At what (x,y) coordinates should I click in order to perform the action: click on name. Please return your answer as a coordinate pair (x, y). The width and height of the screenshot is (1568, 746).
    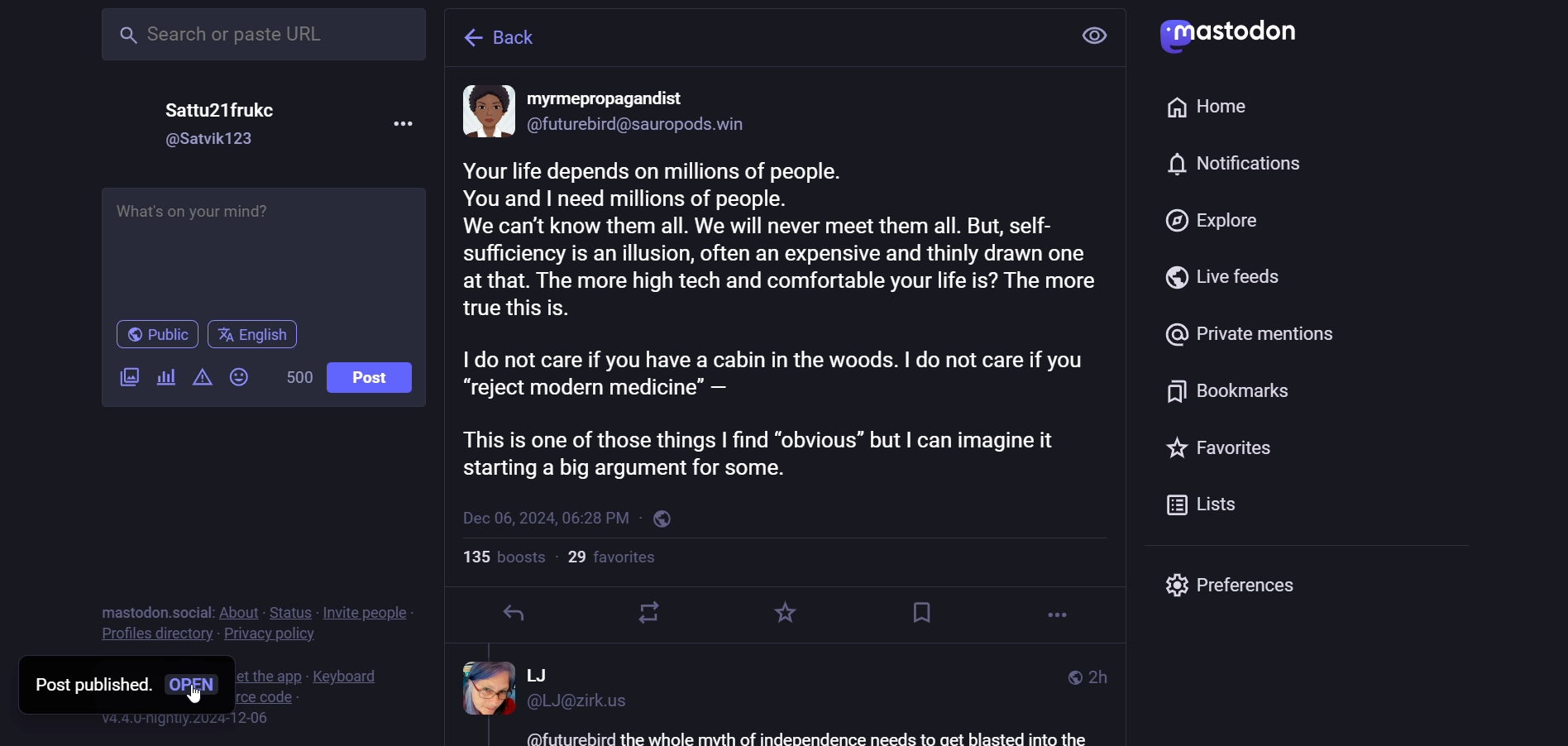
    Looking at the image, I should click on (613, 99).